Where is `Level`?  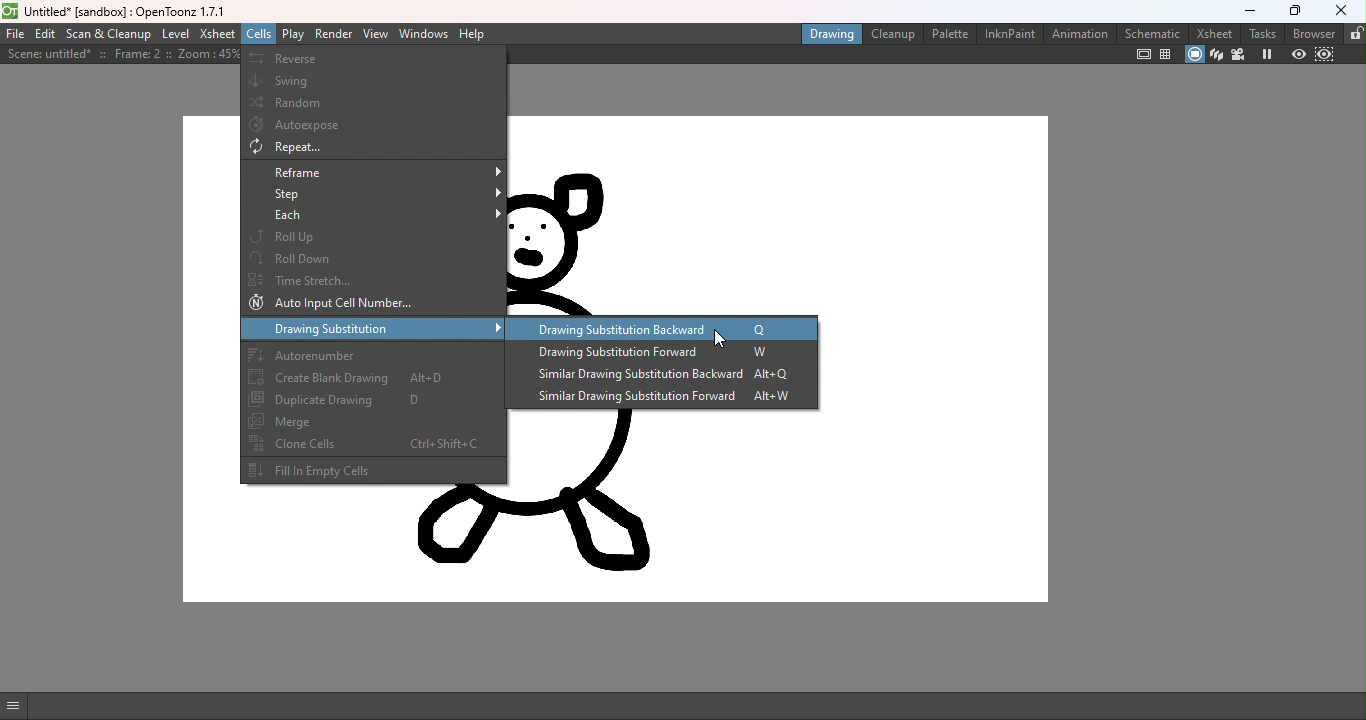
Level is located at coordinates (175, 34).